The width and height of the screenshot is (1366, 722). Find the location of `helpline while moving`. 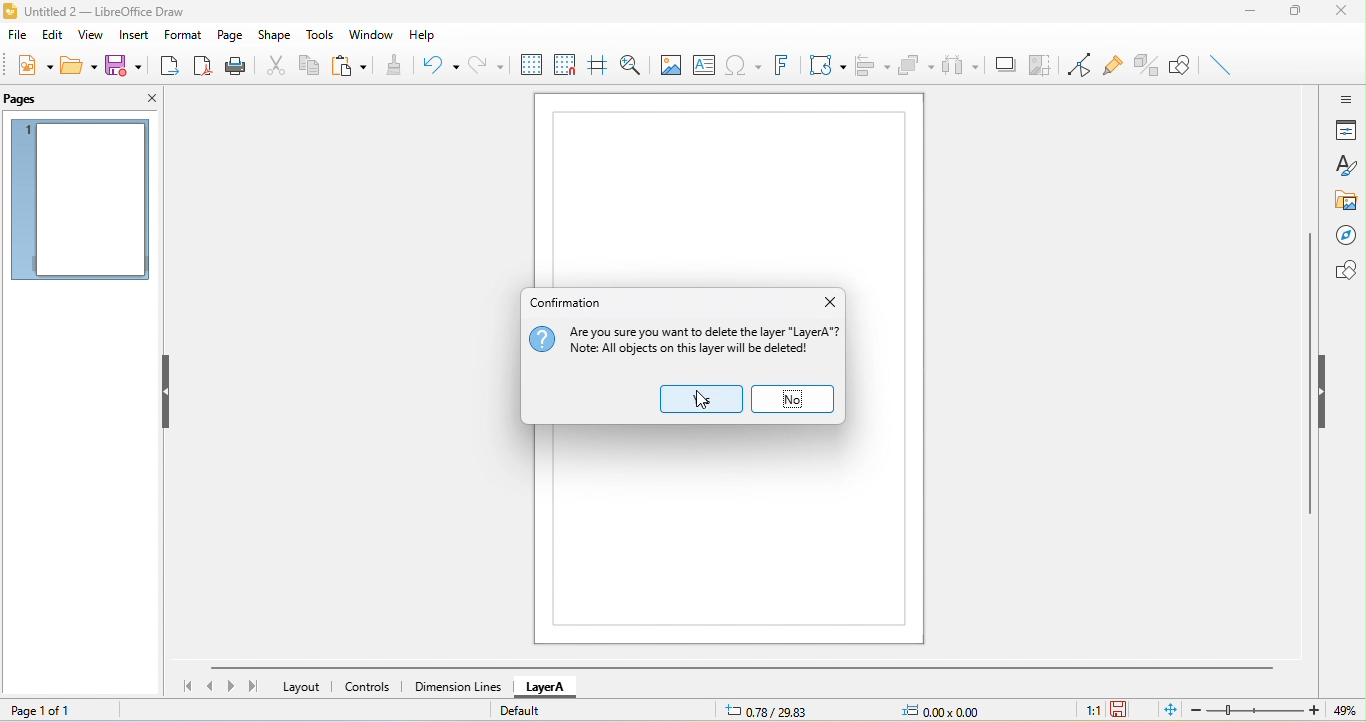

helpline while moving is located at coordinates (596, 68).